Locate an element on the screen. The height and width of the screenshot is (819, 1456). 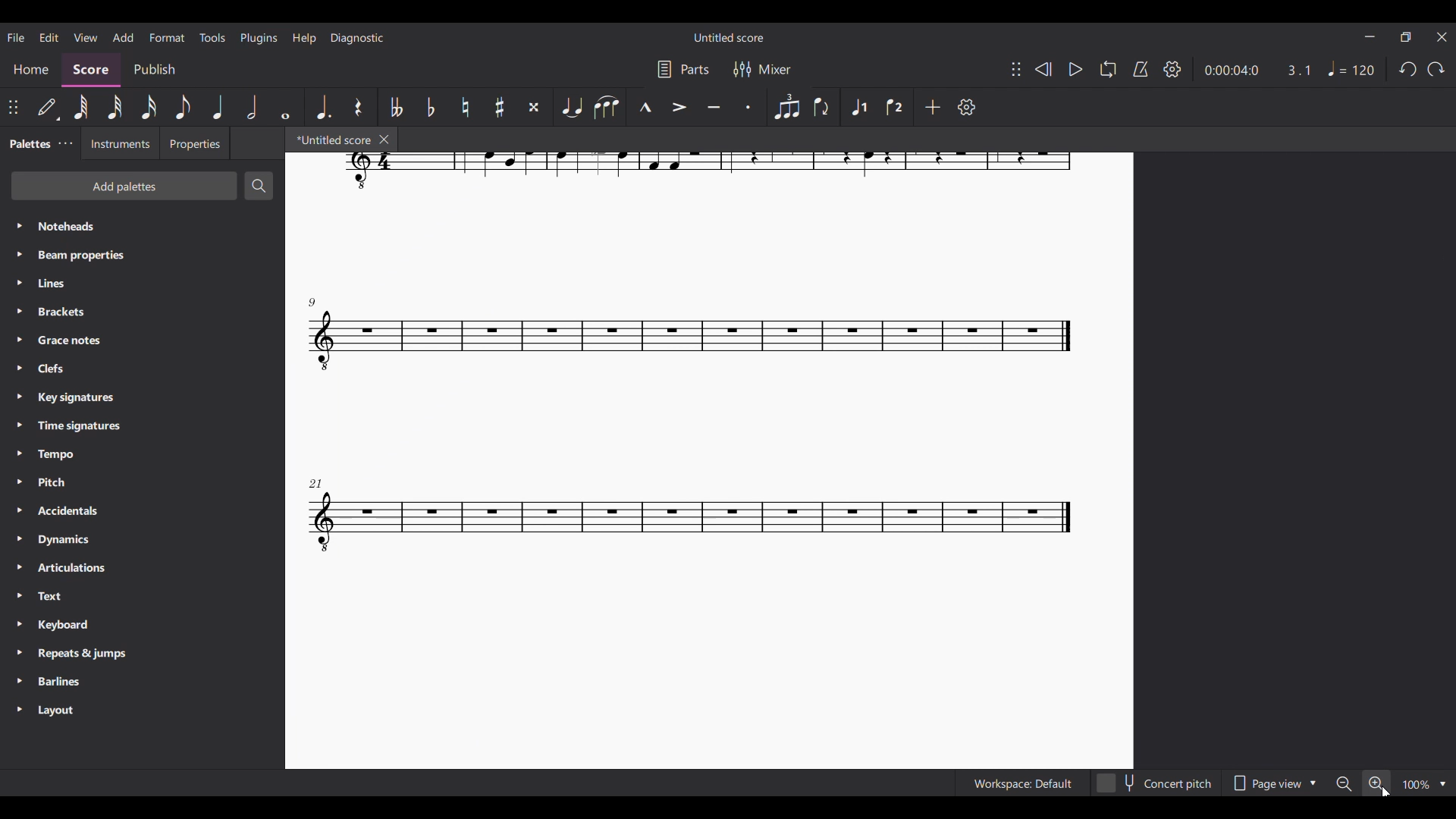
8th note is located at coordinates (183, 107).